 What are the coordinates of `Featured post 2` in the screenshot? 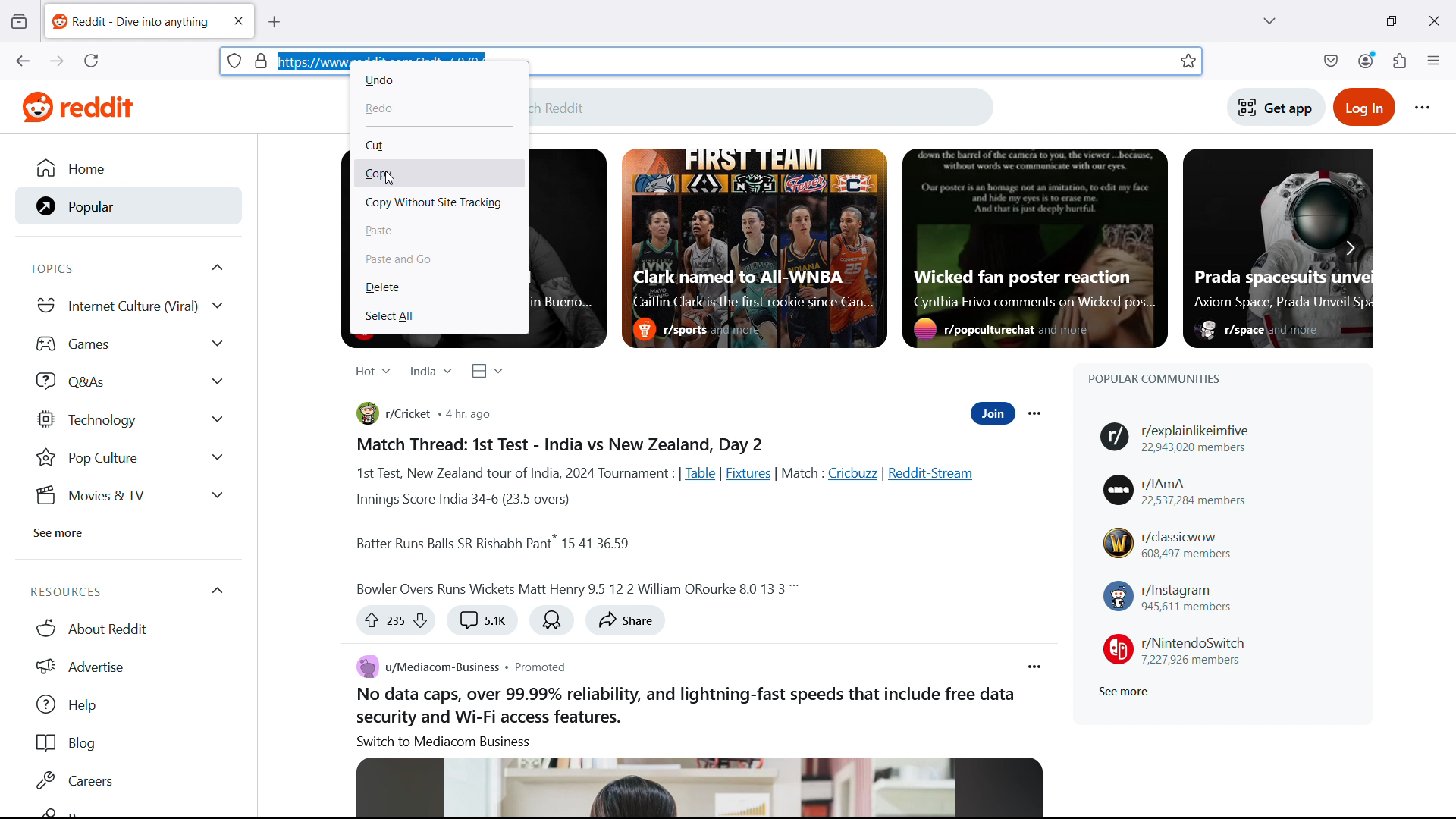 It's located at (754, 247).